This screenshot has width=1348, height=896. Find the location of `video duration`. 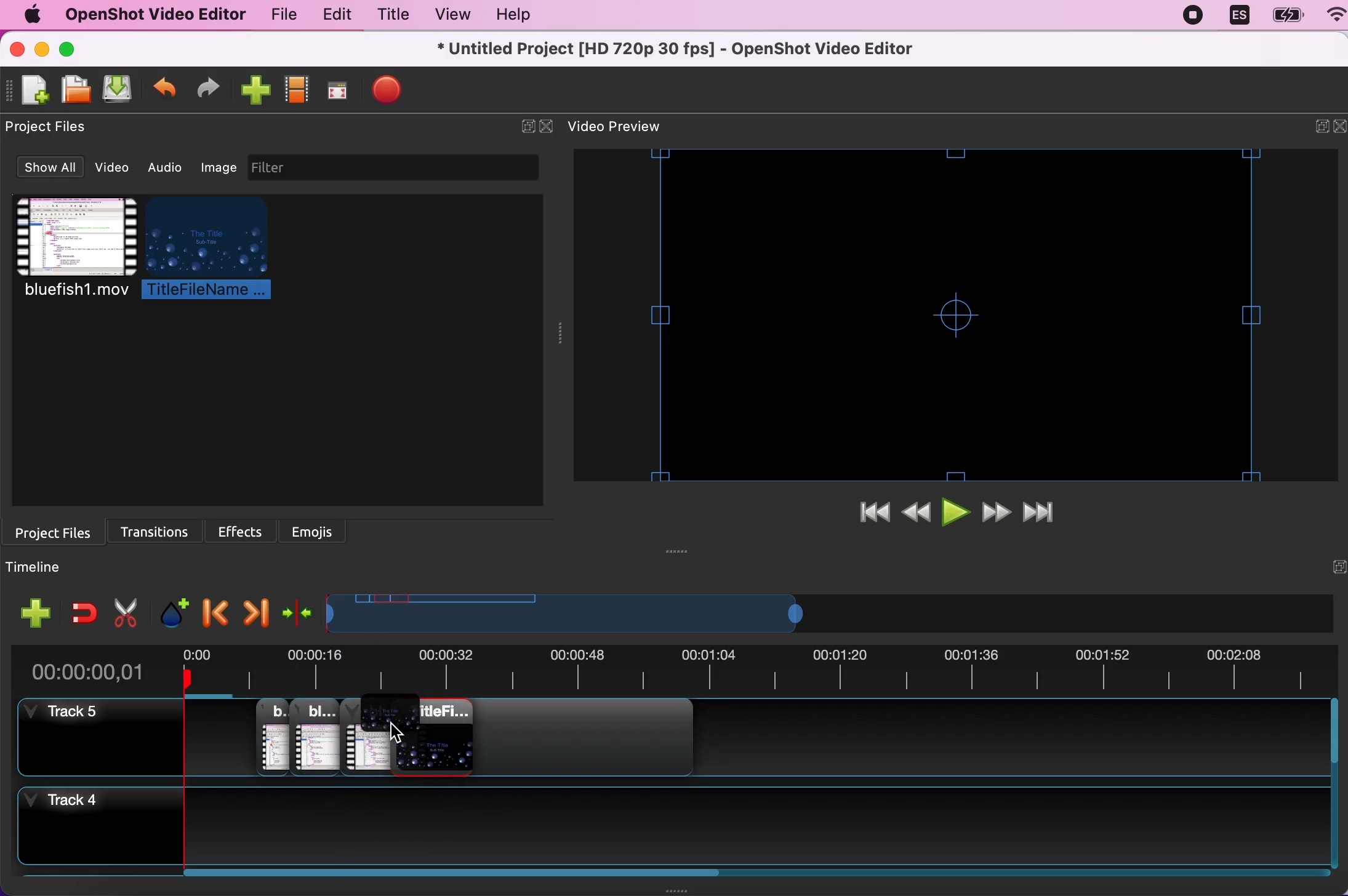

video duration is located at coordinates (758, 671).